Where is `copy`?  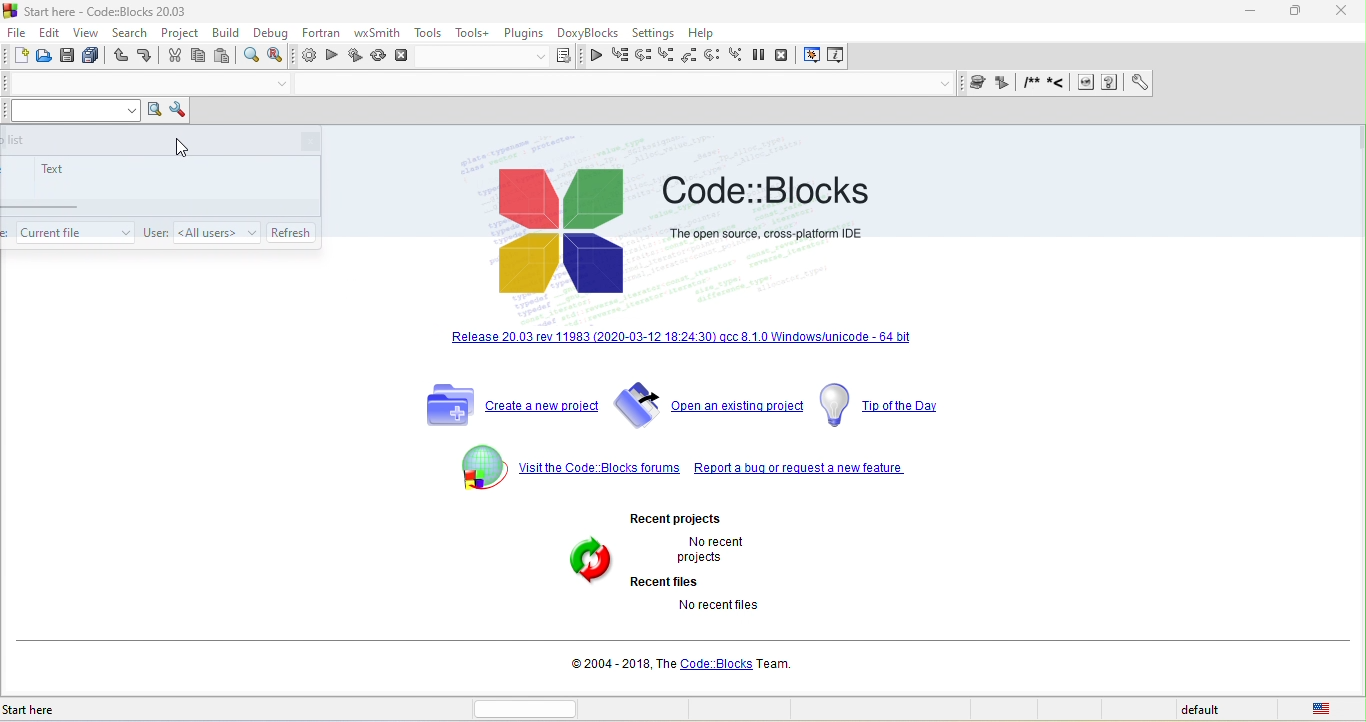 copy is located at coordinates (200, 58).